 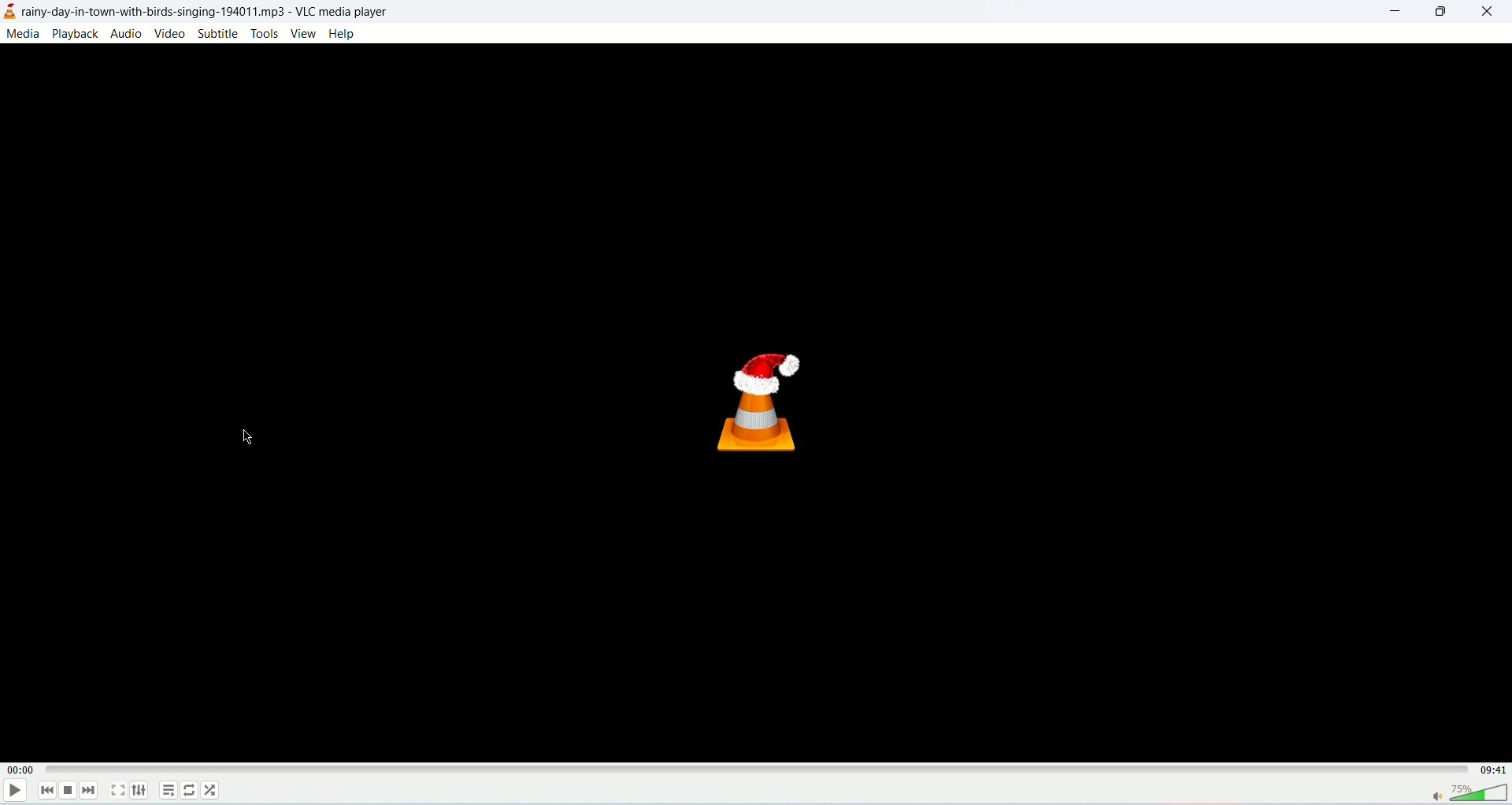 I want to click on total time, so click(x=1494, y=770).